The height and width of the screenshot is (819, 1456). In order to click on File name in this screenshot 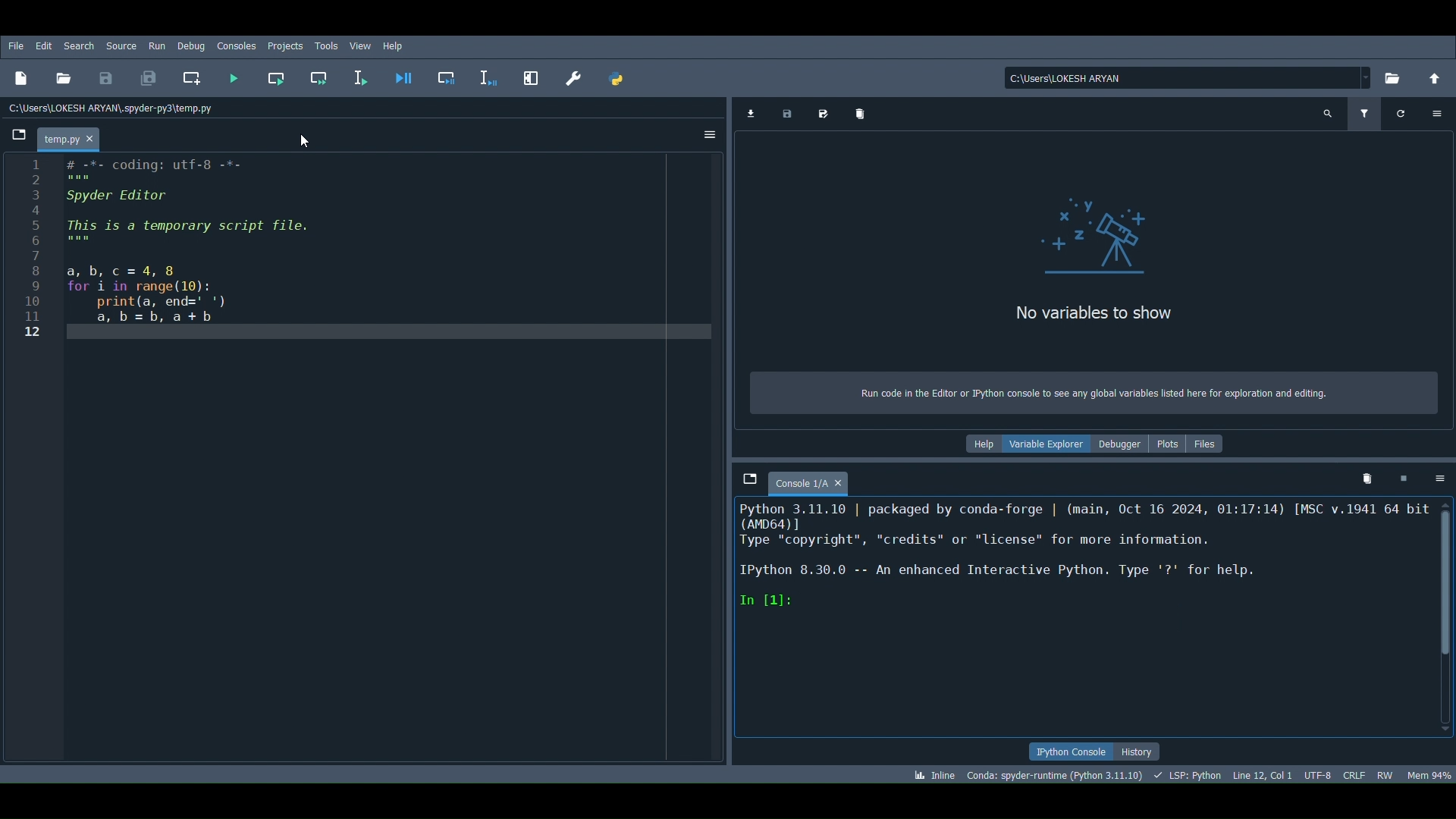, I will do `click(74, 140)`.